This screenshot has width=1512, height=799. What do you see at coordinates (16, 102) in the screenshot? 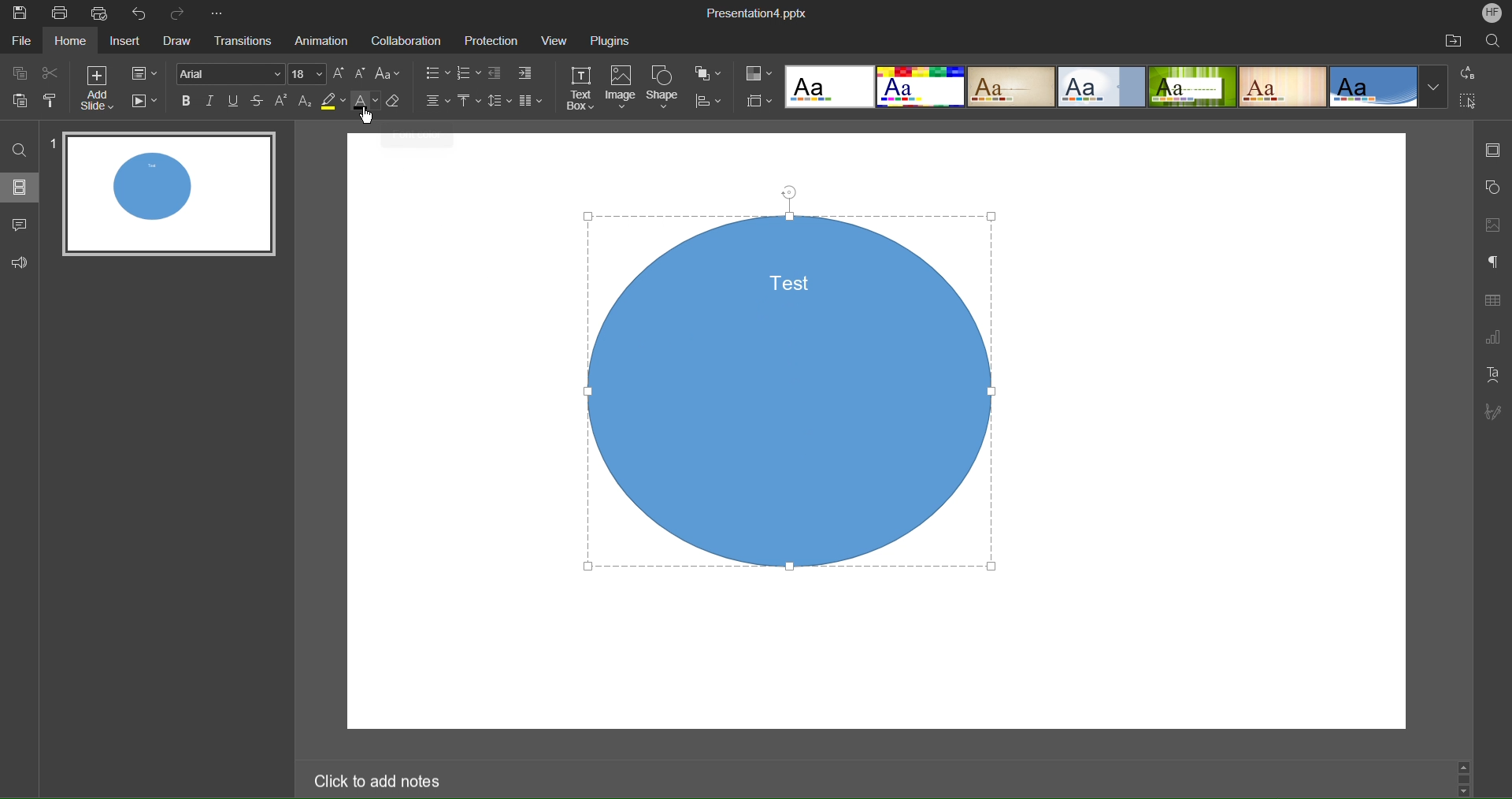
I see `Paste` at bounding box center [16, 102].